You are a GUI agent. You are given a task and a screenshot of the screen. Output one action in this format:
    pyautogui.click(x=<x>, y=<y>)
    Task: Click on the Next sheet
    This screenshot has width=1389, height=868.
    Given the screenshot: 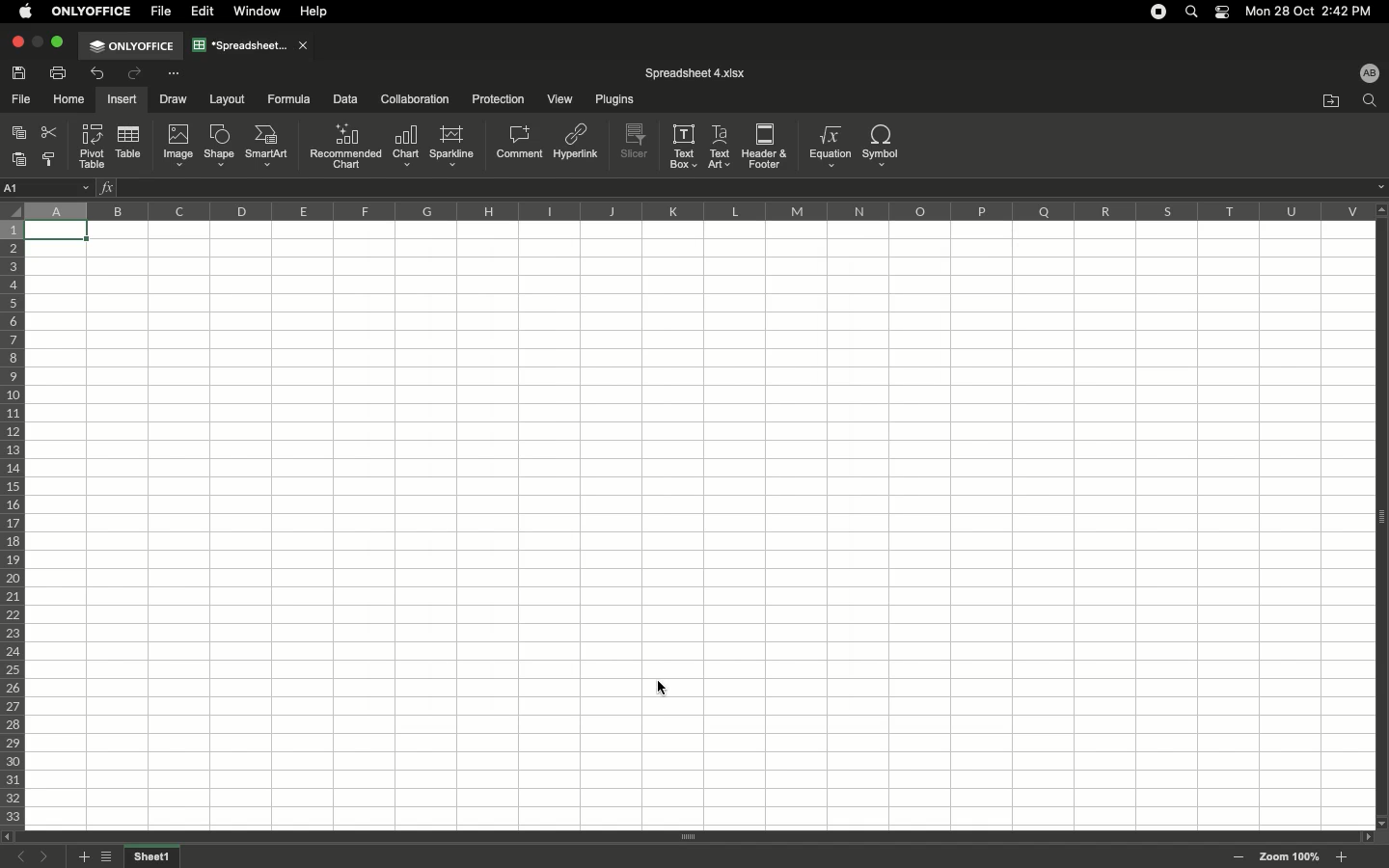 What is the action you would take?
    pyautogui.click(x=49, y=857)
    